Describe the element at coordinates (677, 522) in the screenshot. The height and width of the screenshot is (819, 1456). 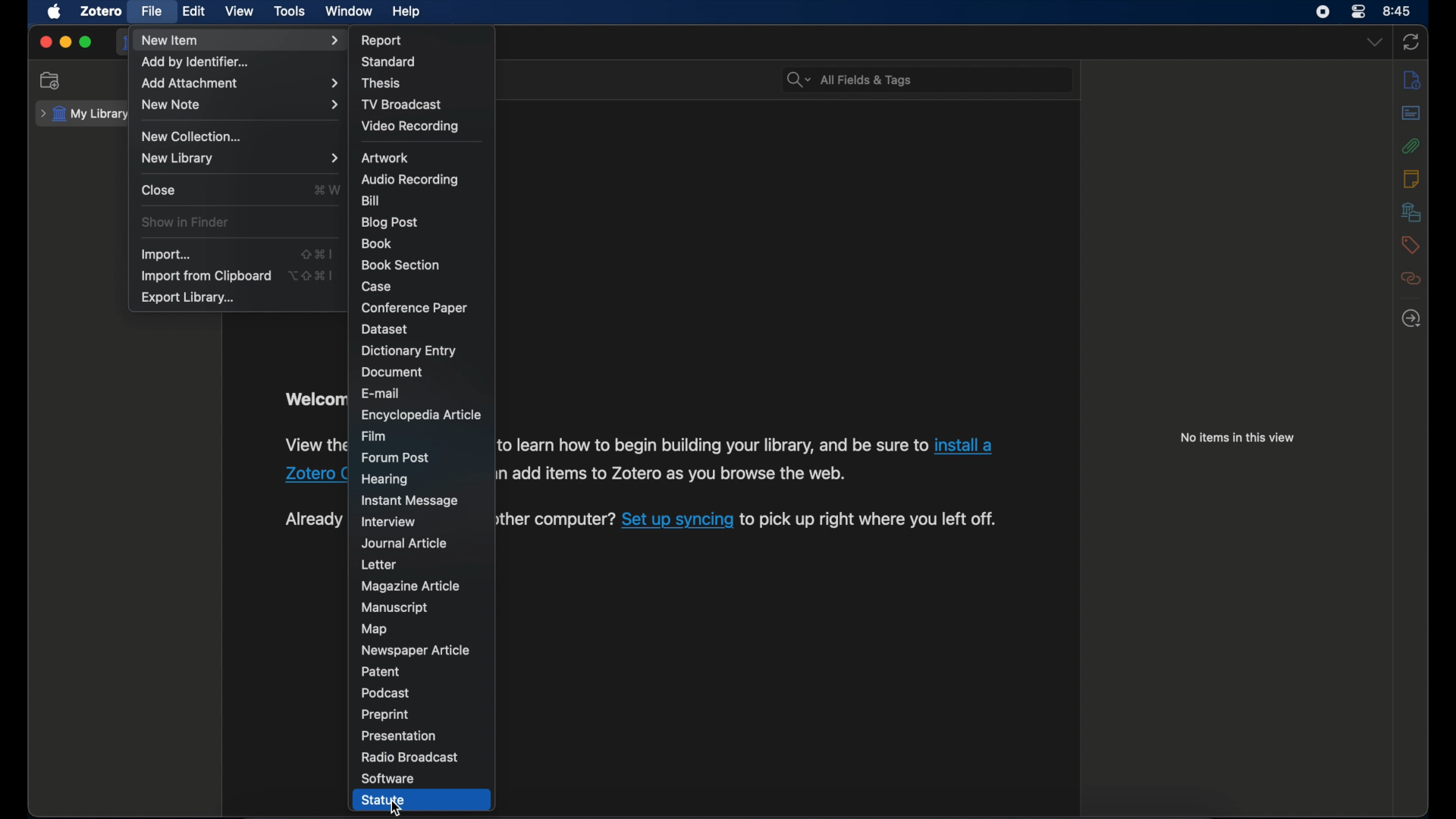
I see `sync link` at that location.